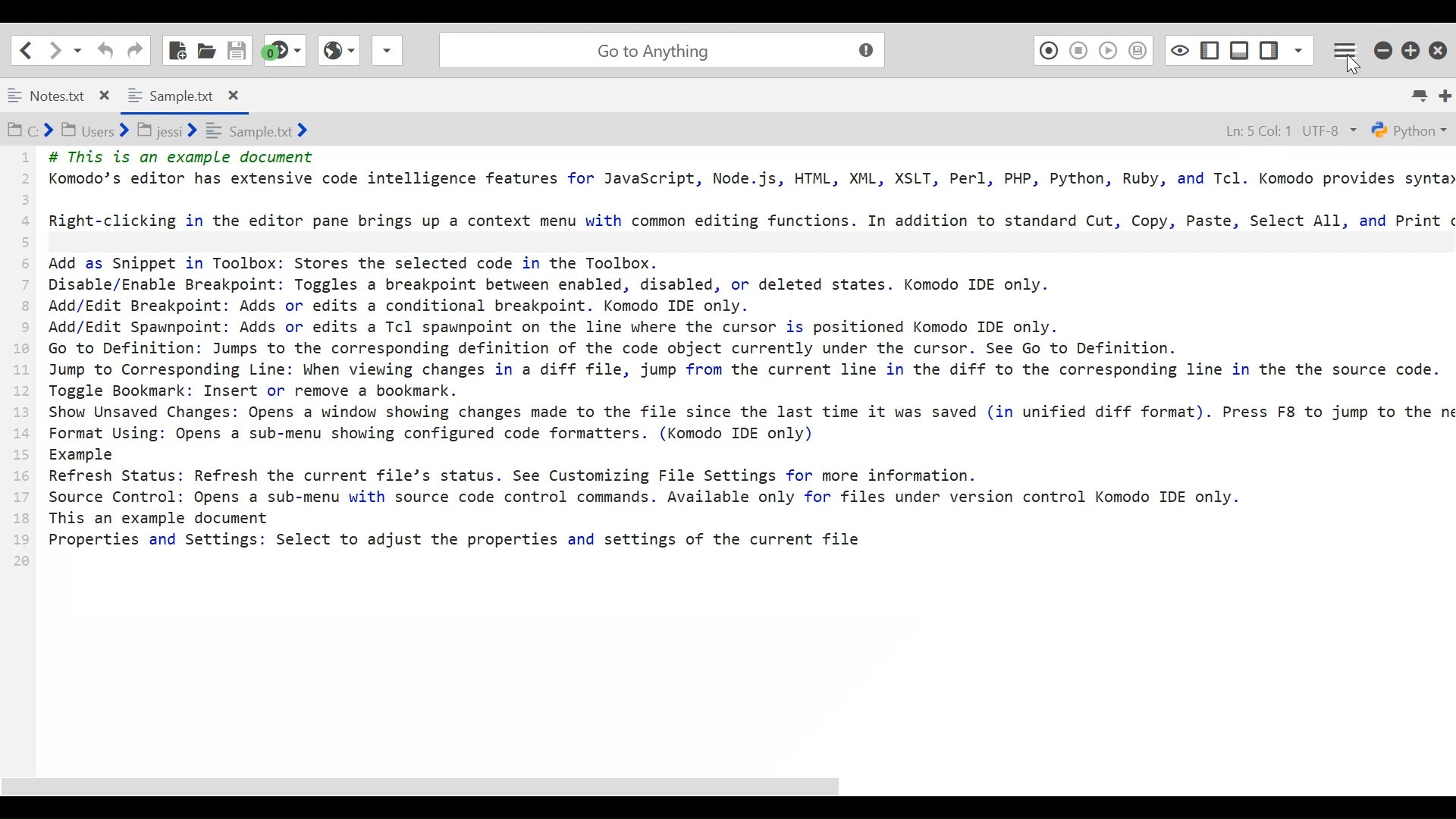 Image resolution: width=1456 pixels, height=819 pixels. I want to click on Ln: 5 Col: 1, so click(1255, 130).